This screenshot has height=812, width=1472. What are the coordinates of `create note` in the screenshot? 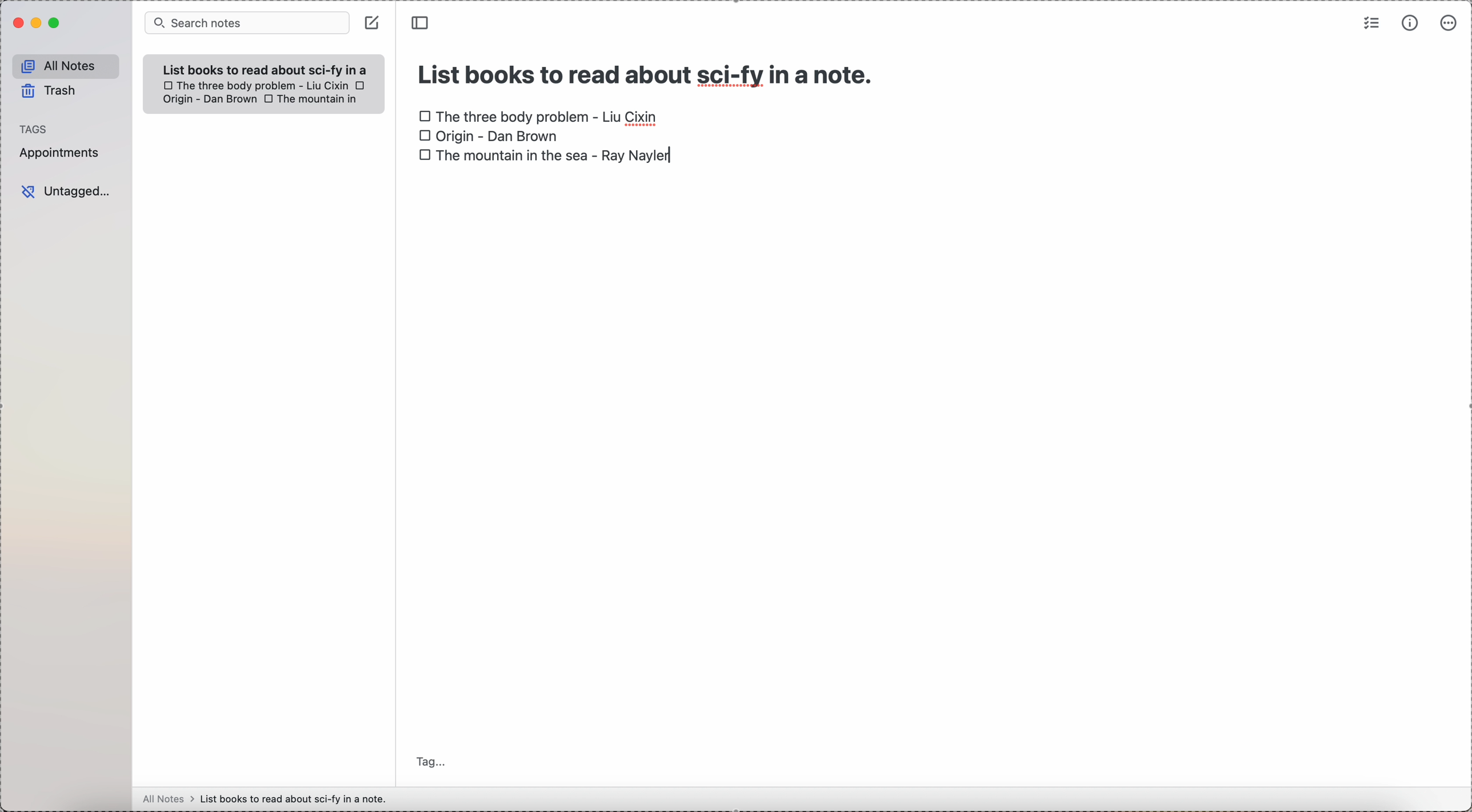 It's located at (372, 23).